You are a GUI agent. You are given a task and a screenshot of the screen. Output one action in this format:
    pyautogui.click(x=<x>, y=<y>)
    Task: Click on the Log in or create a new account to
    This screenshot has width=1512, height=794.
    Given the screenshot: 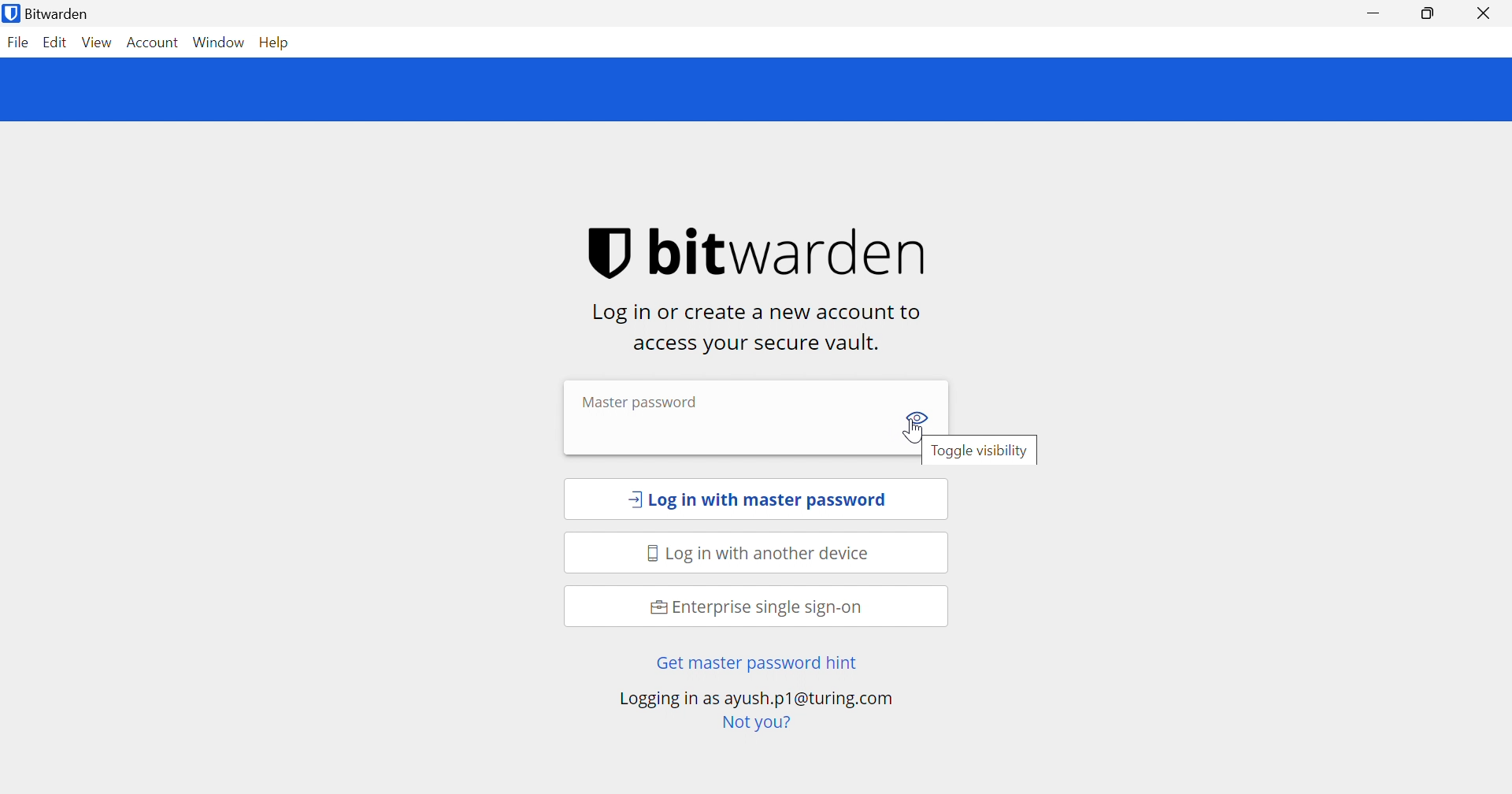 What is the action you would take?
    pyautogui.click(x=762, y=313)
    